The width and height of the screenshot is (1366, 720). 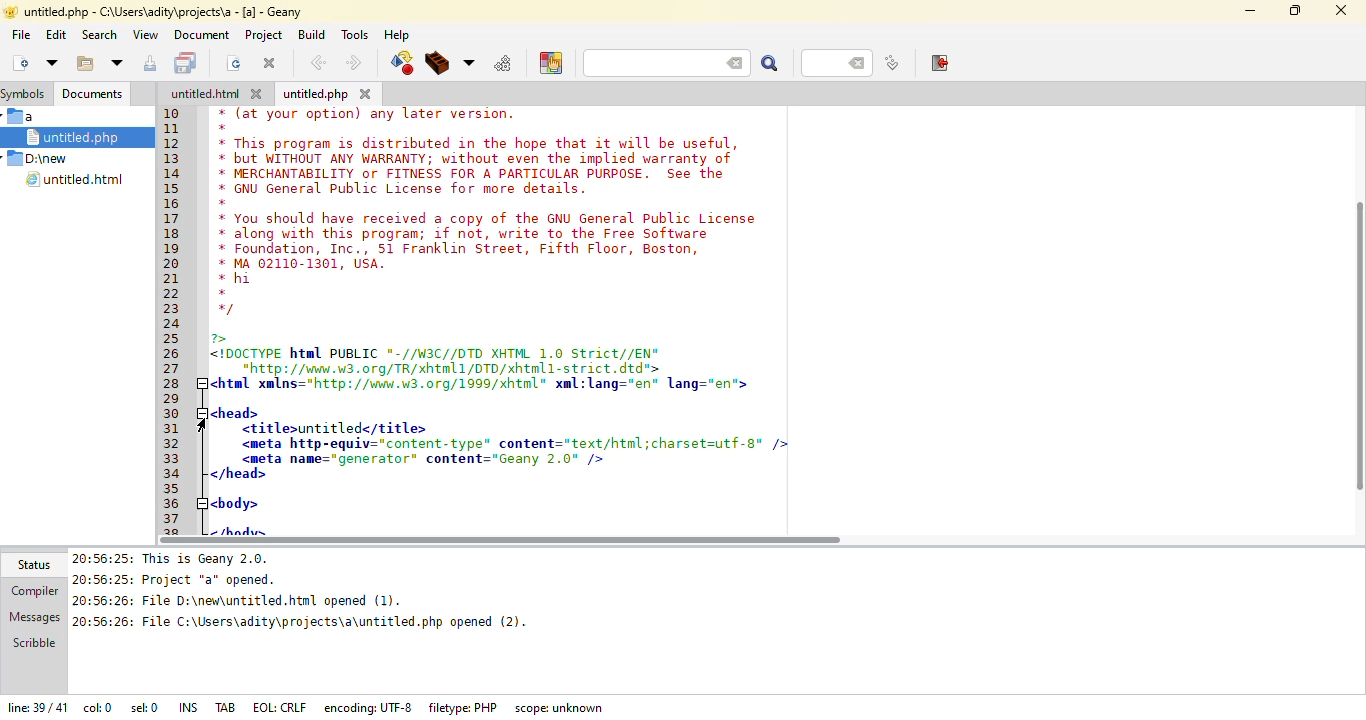 I want to click on 20:65:25: This is Geany 2.0. 20:56:25: Project "a* opened.20:56:26: File D:\new\untitled.htnl opened (1).20:56:26: File C:\Users\adity\projects\a\untitled.php opened (2)., so click(x=304, y=594).